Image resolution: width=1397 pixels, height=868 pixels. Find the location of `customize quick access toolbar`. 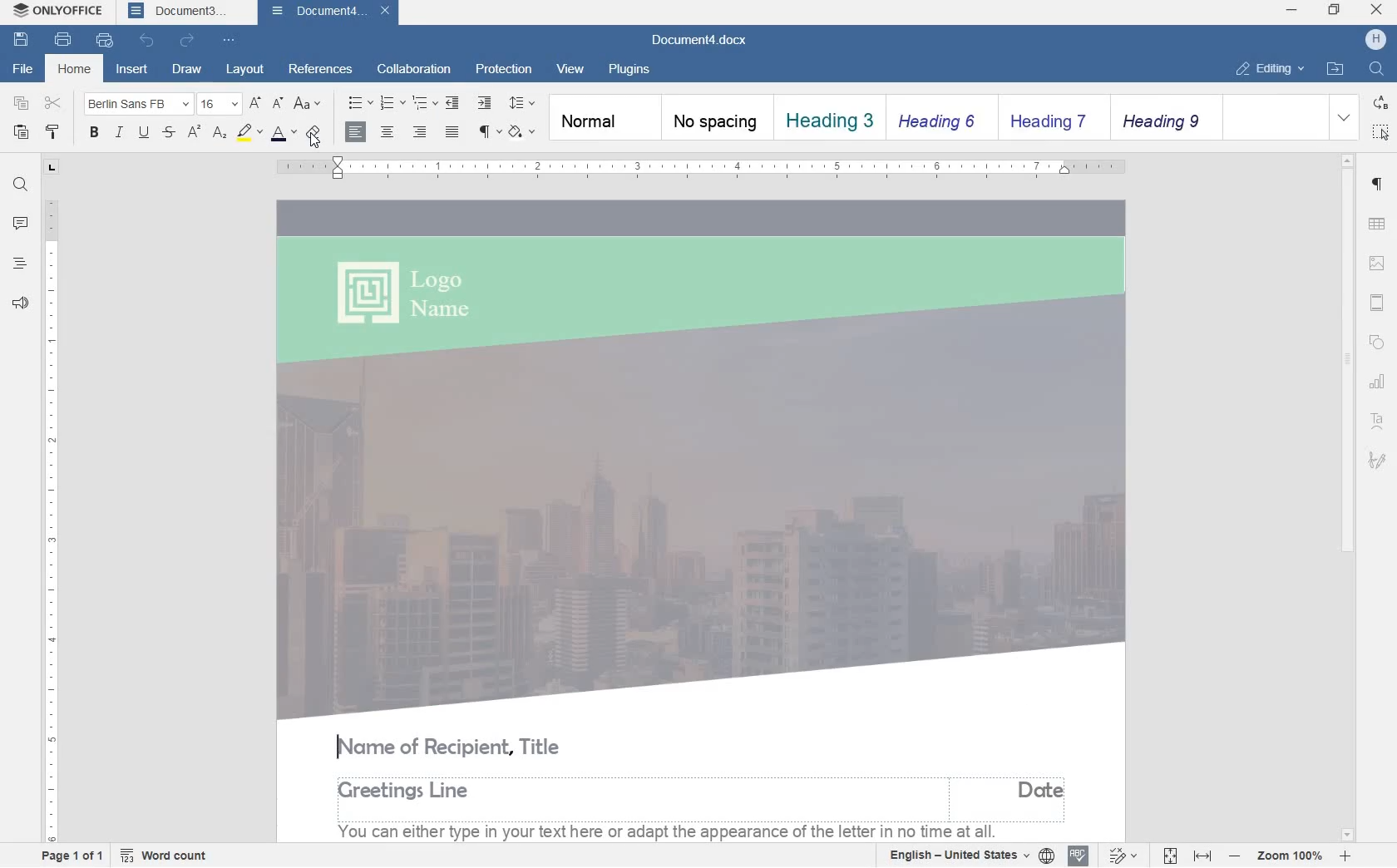

customize quick access toolbar is located at coordinates (230, 40).